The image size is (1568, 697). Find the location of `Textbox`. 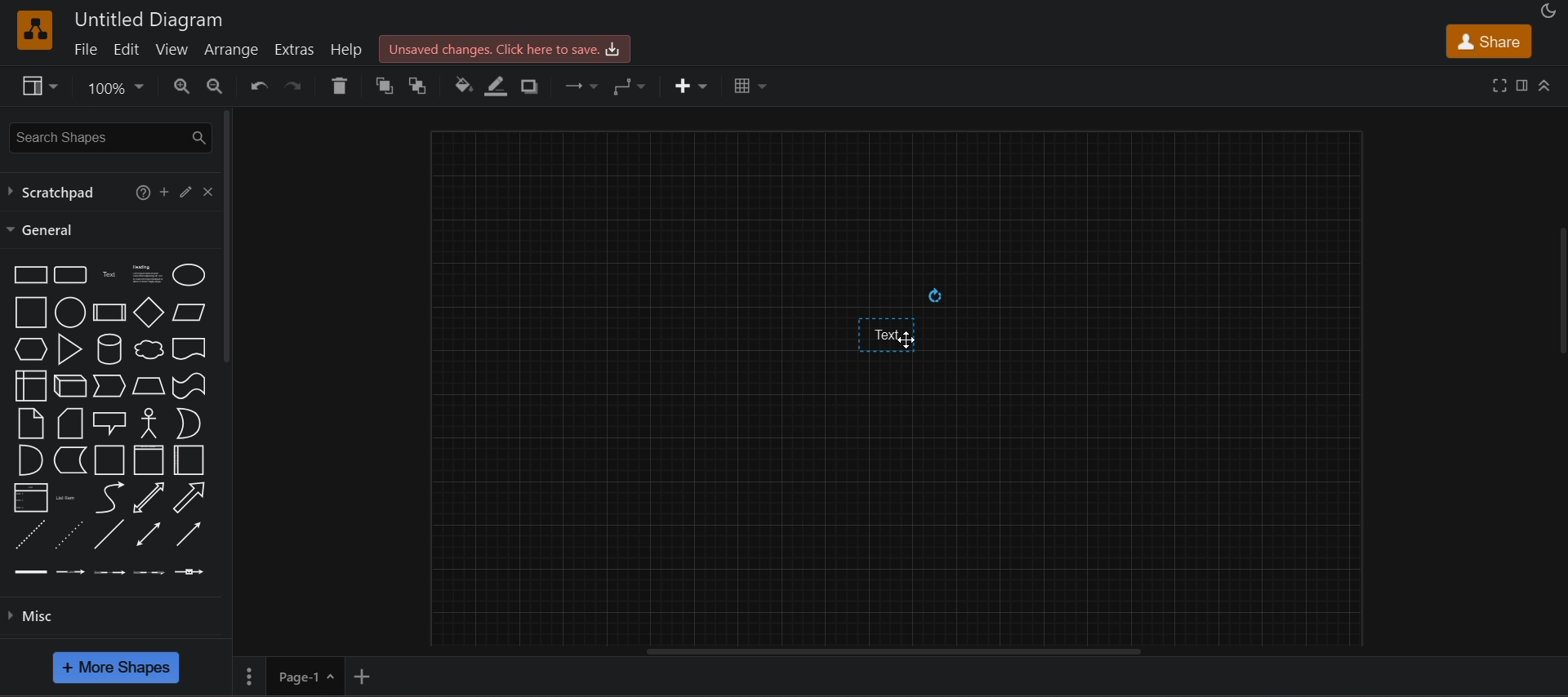

Textbox is located at coordinates (149, 275).